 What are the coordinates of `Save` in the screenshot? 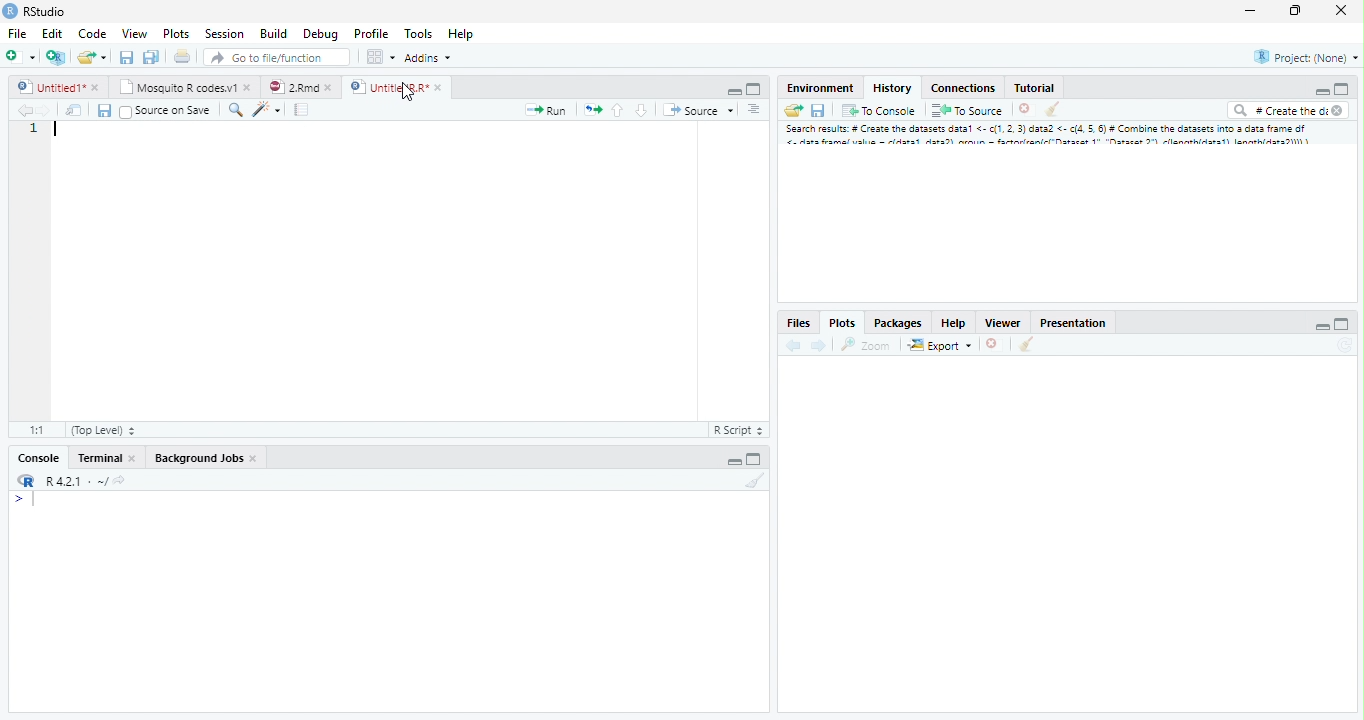 It's located at (126, 57).